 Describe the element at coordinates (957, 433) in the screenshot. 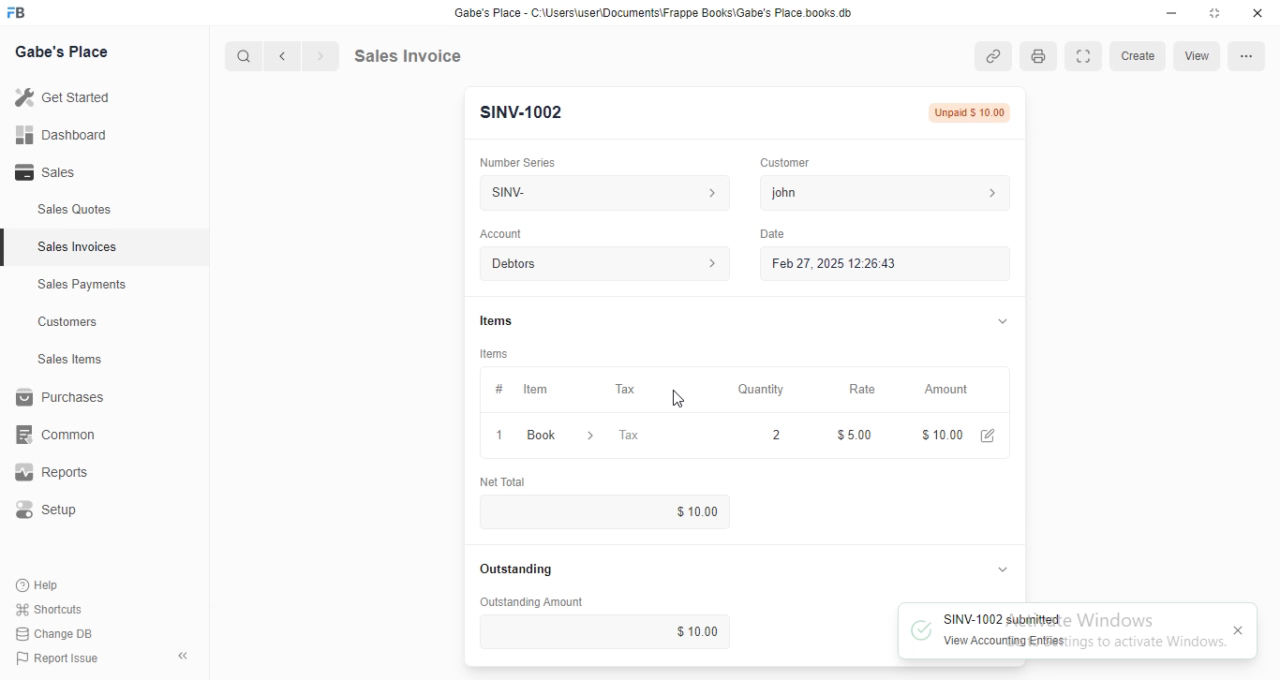

I see `$10.00` at that location.